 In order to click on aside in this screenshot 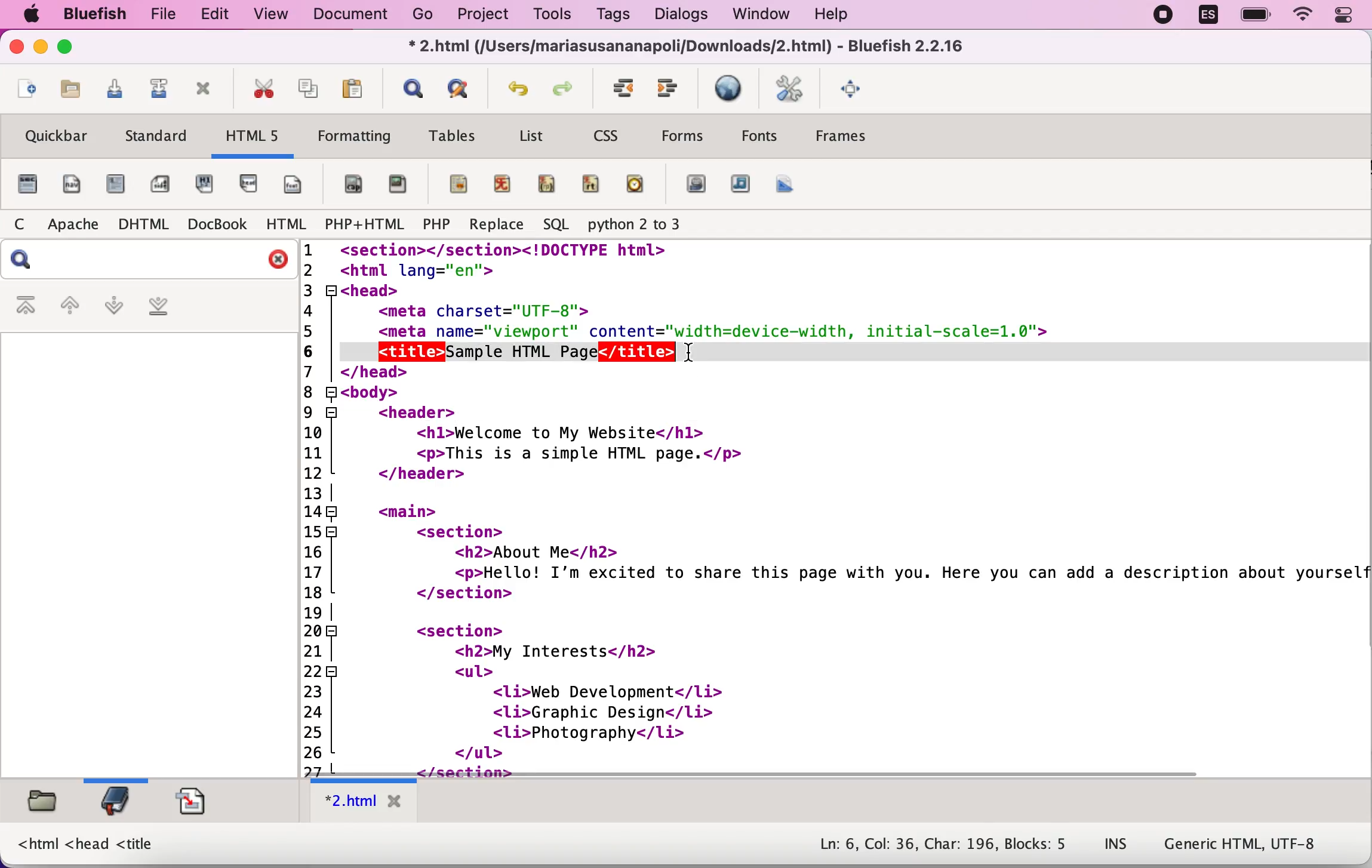, I will do `click(161, 180)`.